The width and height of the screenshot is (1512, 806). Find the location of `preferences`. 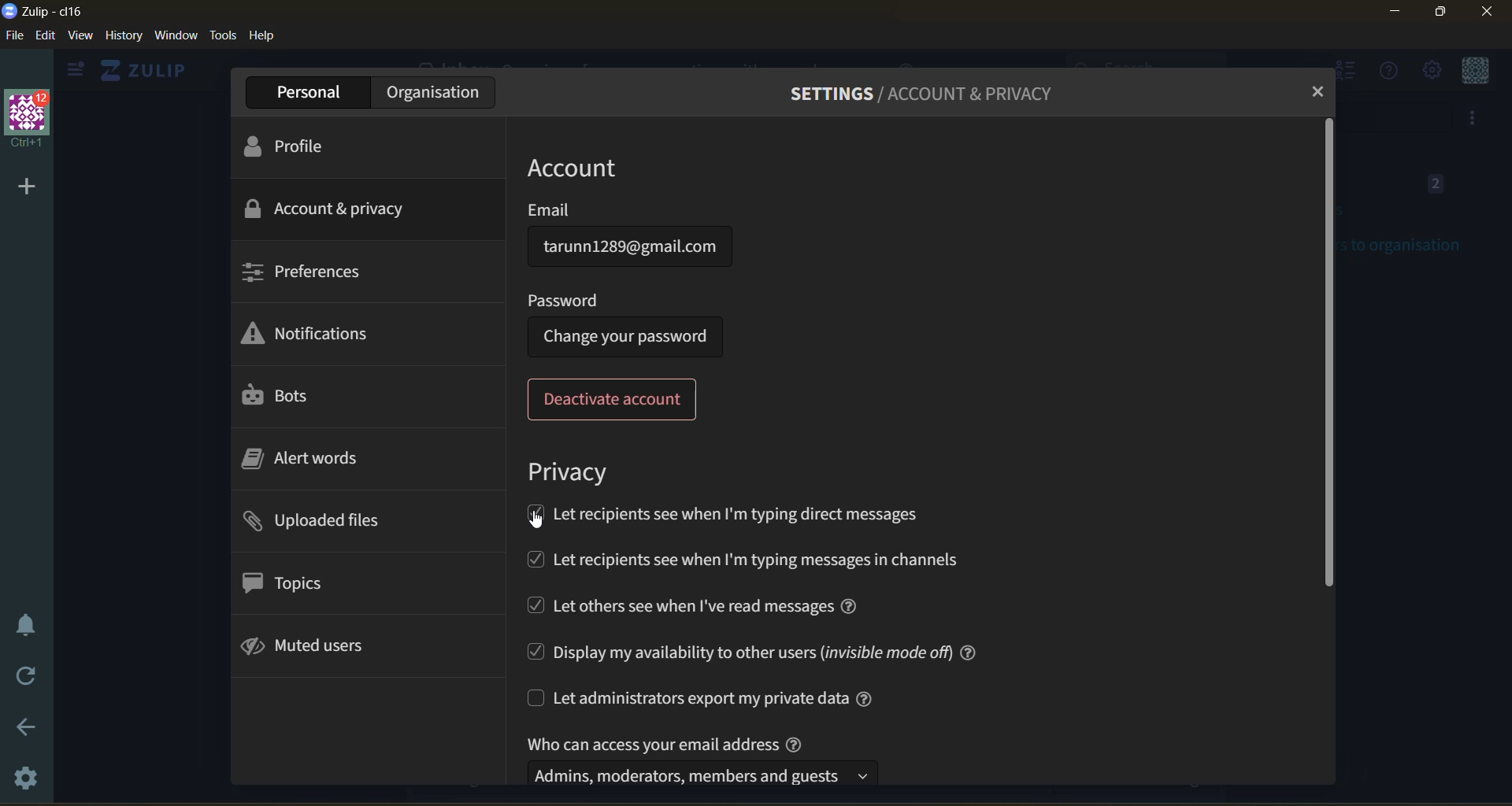

preferences is located at coordinates (302, 269).